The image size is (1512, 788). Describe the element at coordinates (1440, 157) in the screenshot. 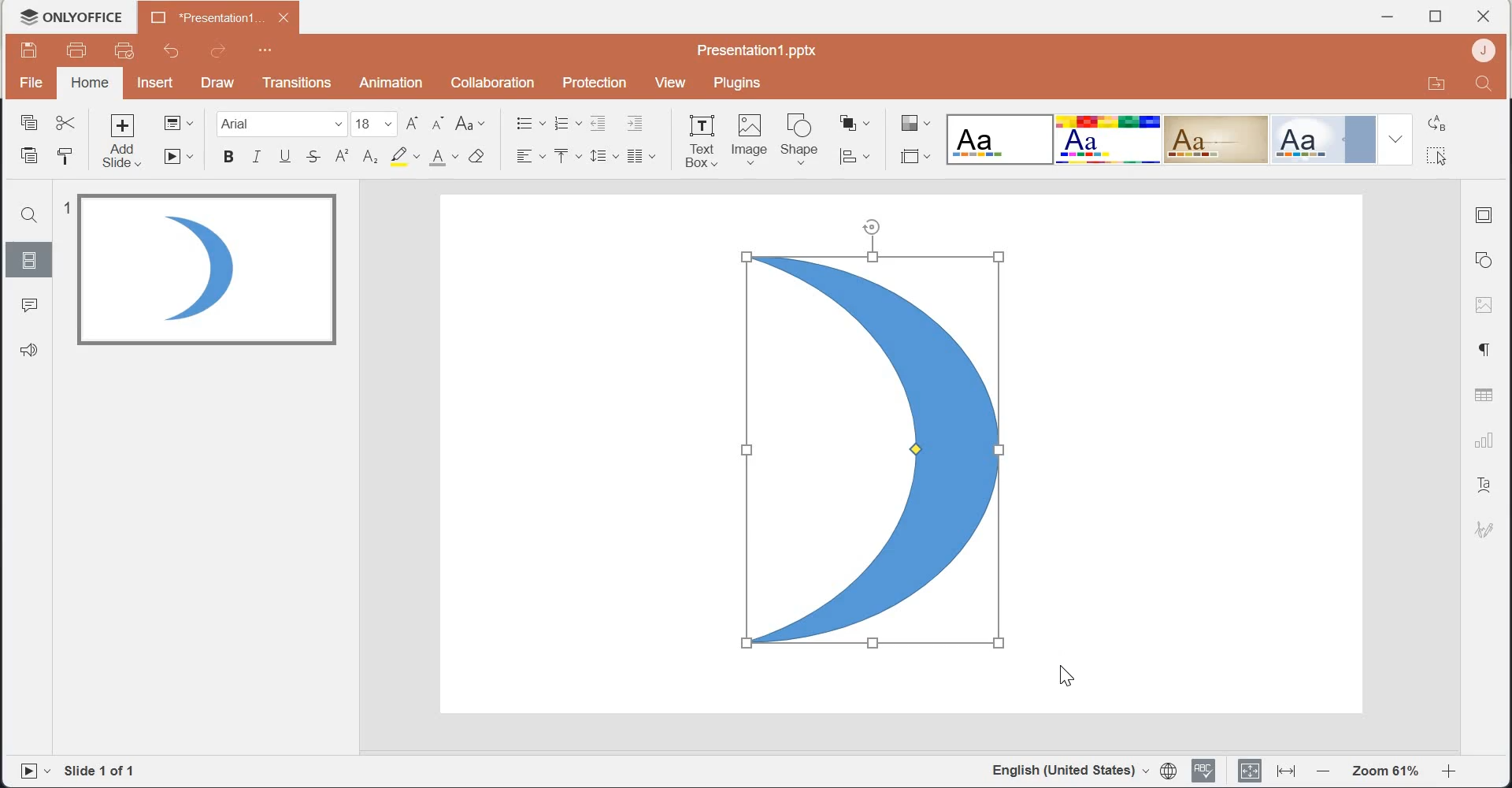

I see `cursor` at that location.